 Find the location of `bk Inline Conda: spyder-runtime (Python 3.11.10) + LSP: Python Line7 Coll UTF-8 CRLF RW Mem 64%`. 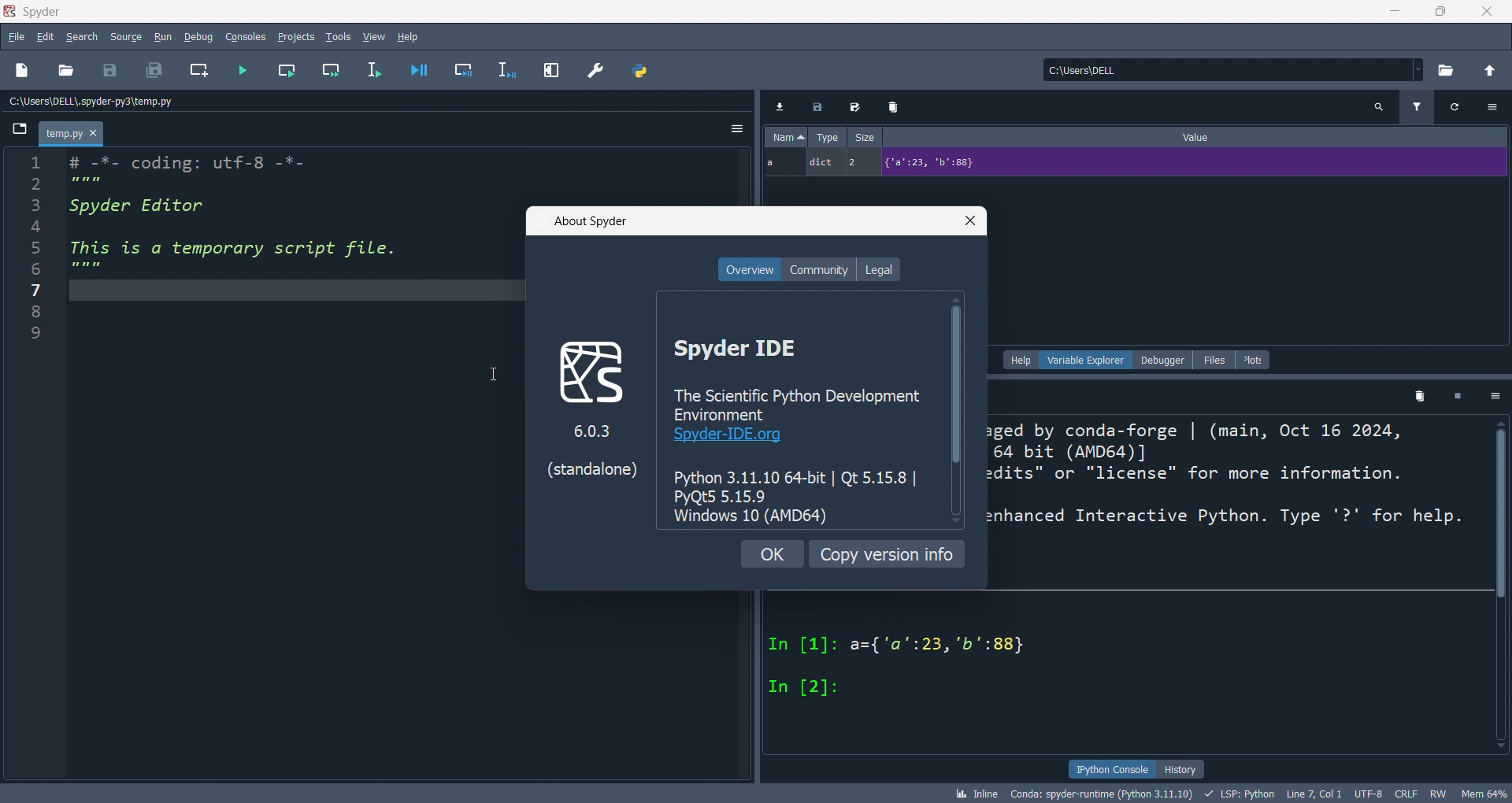

bk Inline Conda: spyder-runtime (Python 3.11.10) + LSP: Python Line7 Coll UTF-8 CRLF RW Mem 64% is located at coordinates (1219, 794).